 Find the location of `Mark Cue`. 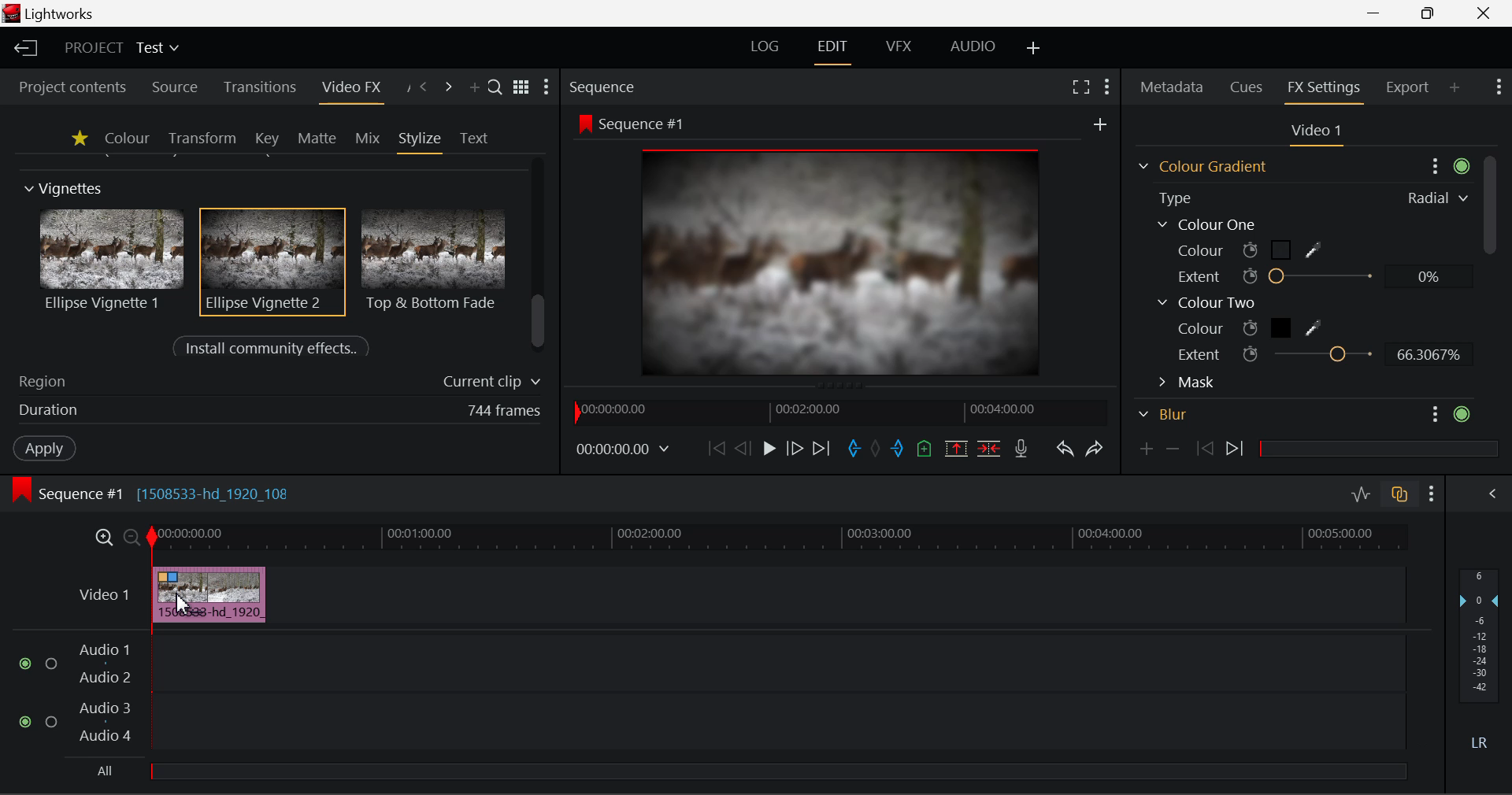

Mark Cue is located at coordinates (925, 448).